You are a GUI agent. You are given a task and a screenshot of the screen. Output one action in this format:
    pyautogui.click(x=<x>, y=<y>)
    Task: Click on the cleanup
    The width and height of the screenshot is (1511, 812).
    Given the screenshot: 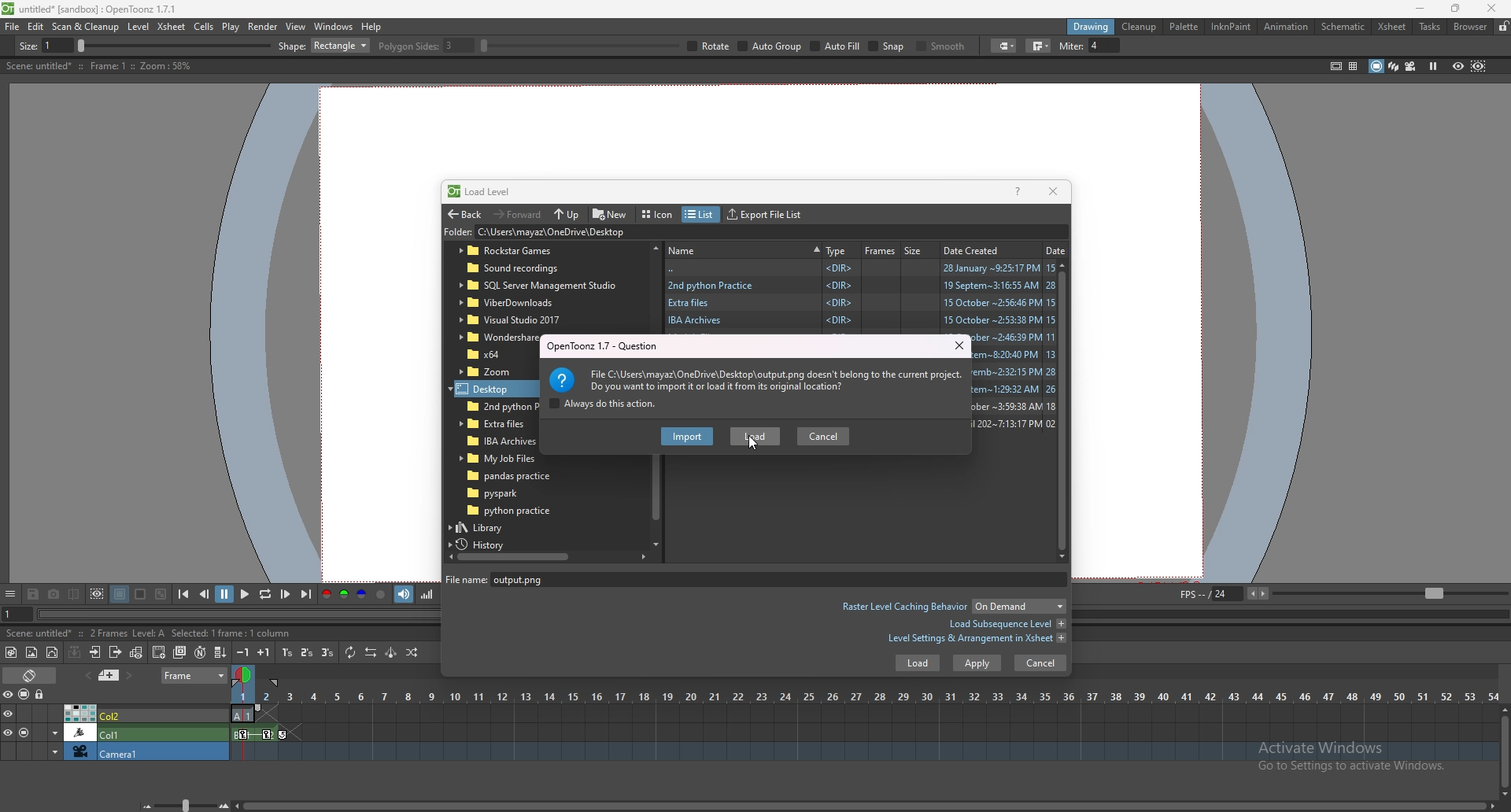 What is the action you would take?
    pyautogui.click(x=1139, y=27)
    